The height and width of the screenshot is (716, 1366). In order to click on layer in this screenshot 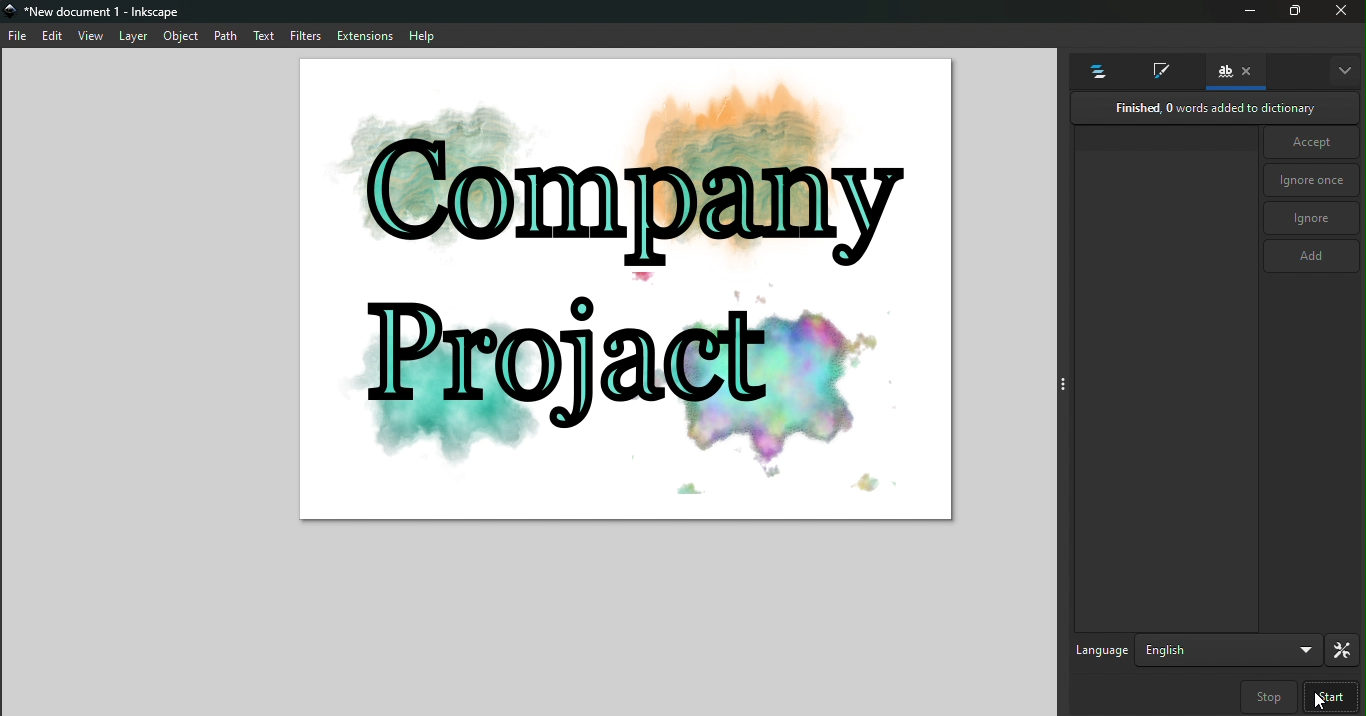, I will do `click(134, 36)`.